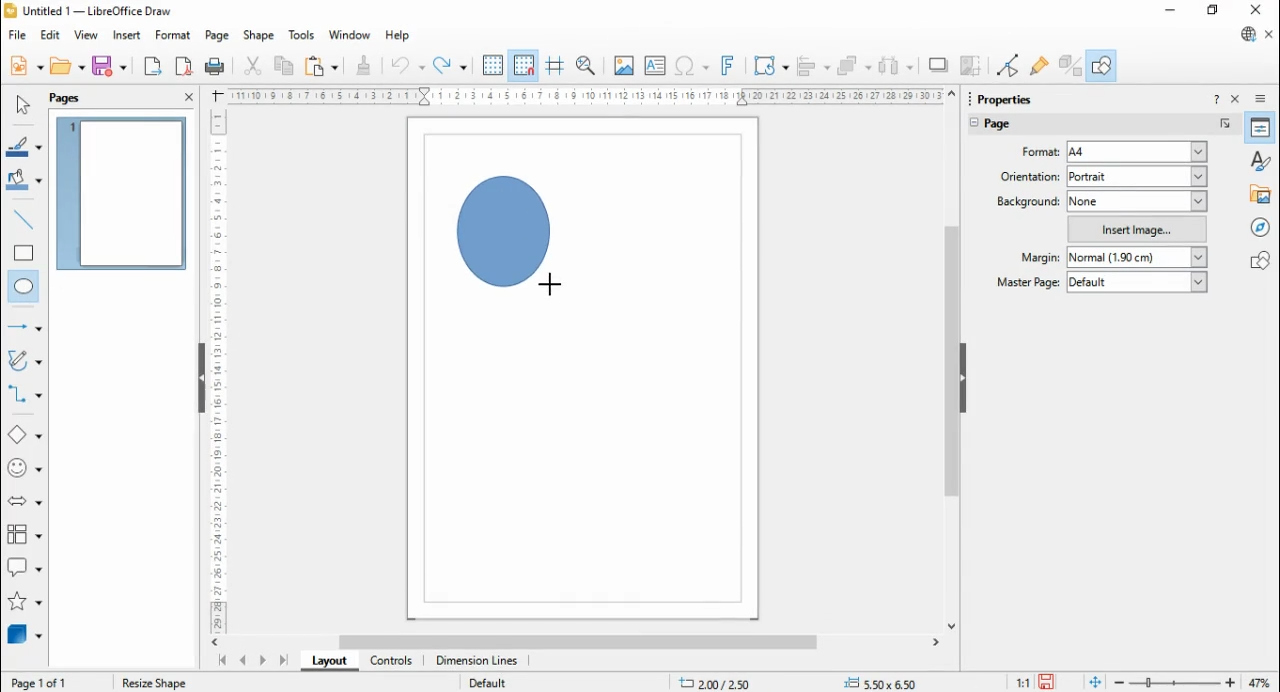  What do you see at coordinates (22, 104) in the screenshot?
I see `select` at bounding box center [22, 104].